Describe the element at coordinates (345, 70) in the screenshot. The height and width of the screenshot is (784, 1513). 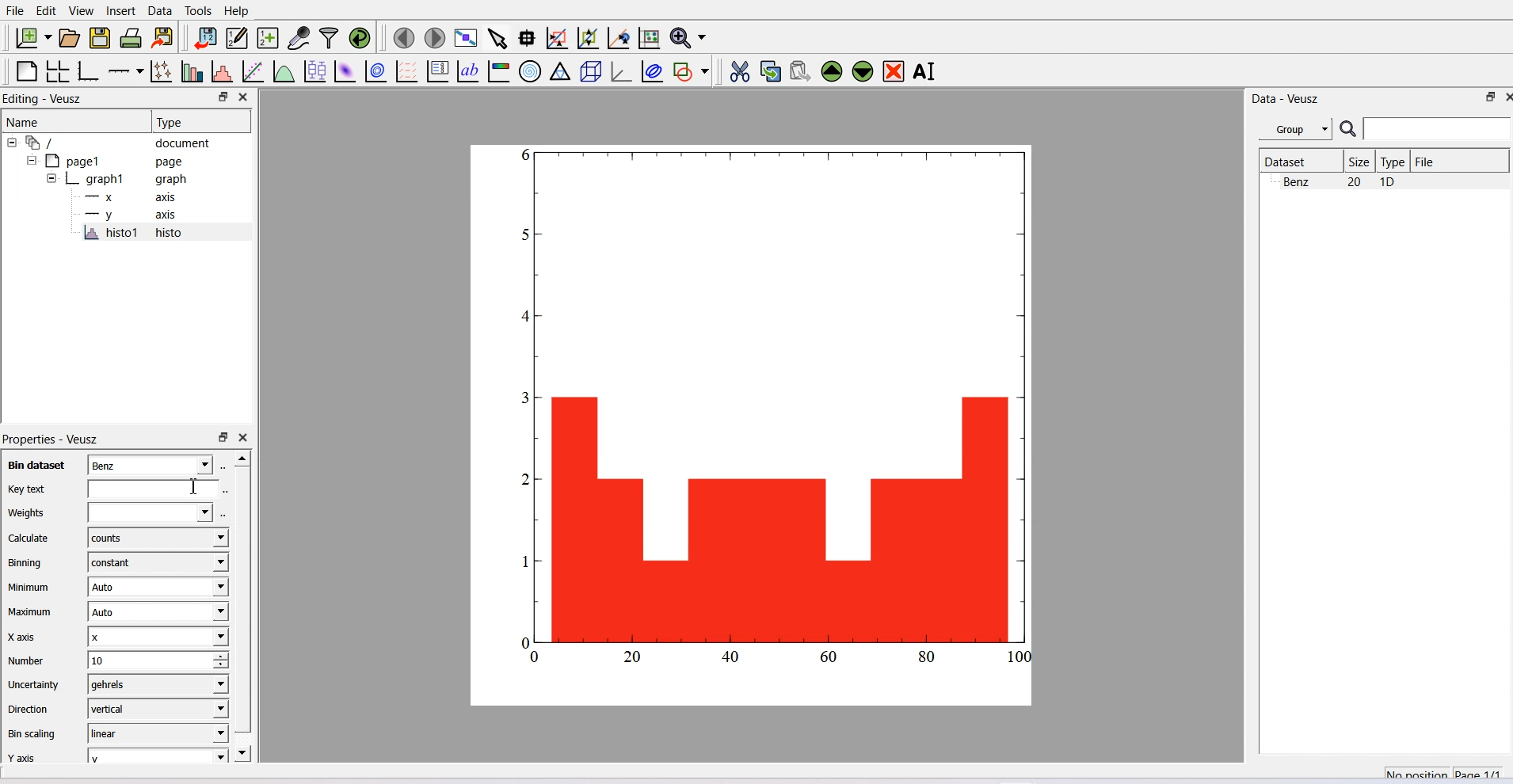
I see `Plot a 2D dataset as Image` at that location.